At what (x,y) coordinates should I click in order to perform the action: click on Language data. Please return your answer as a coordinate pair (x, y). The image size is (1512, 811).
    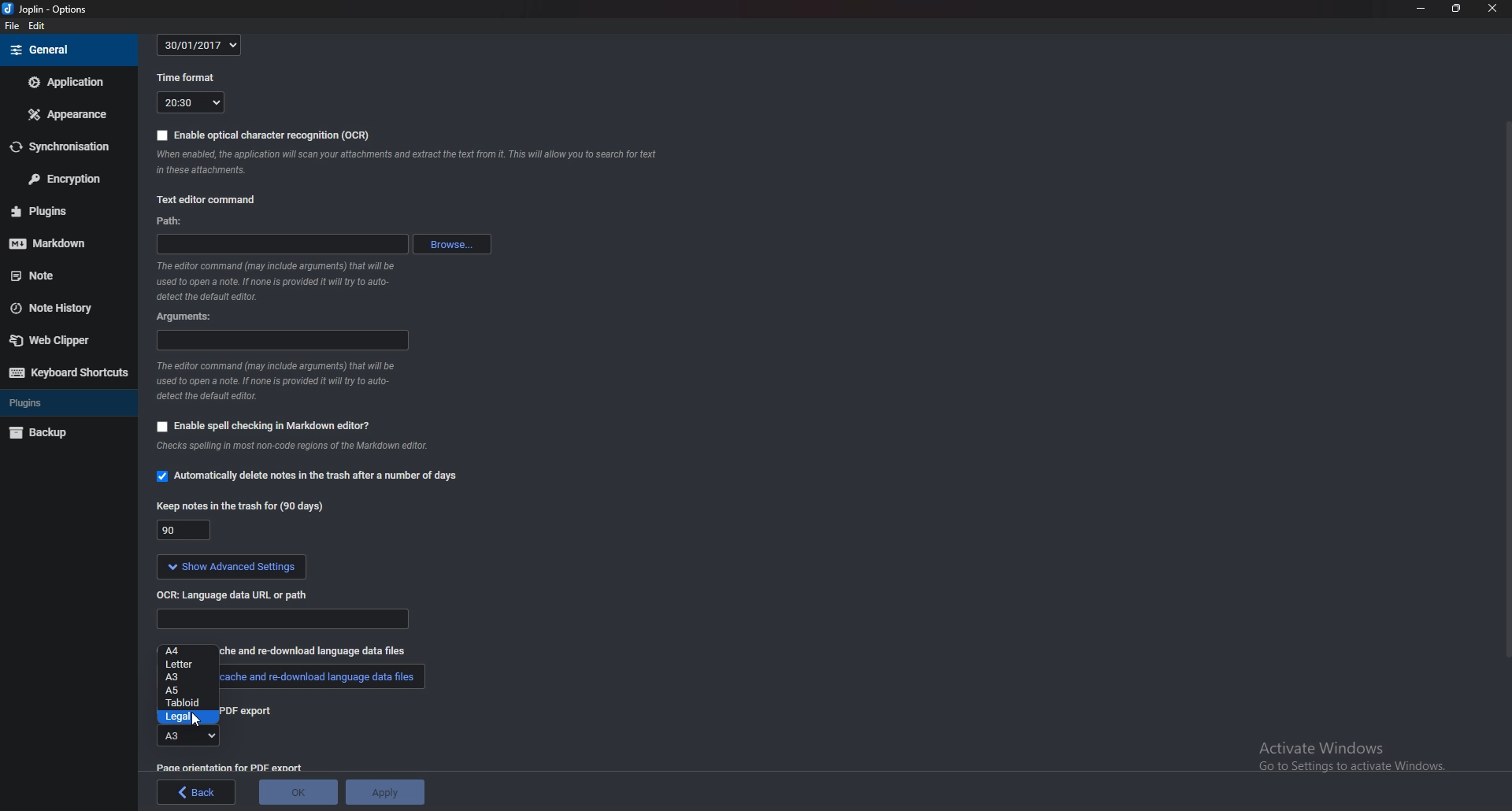
    Looking at the image, I should click on (284, 620).